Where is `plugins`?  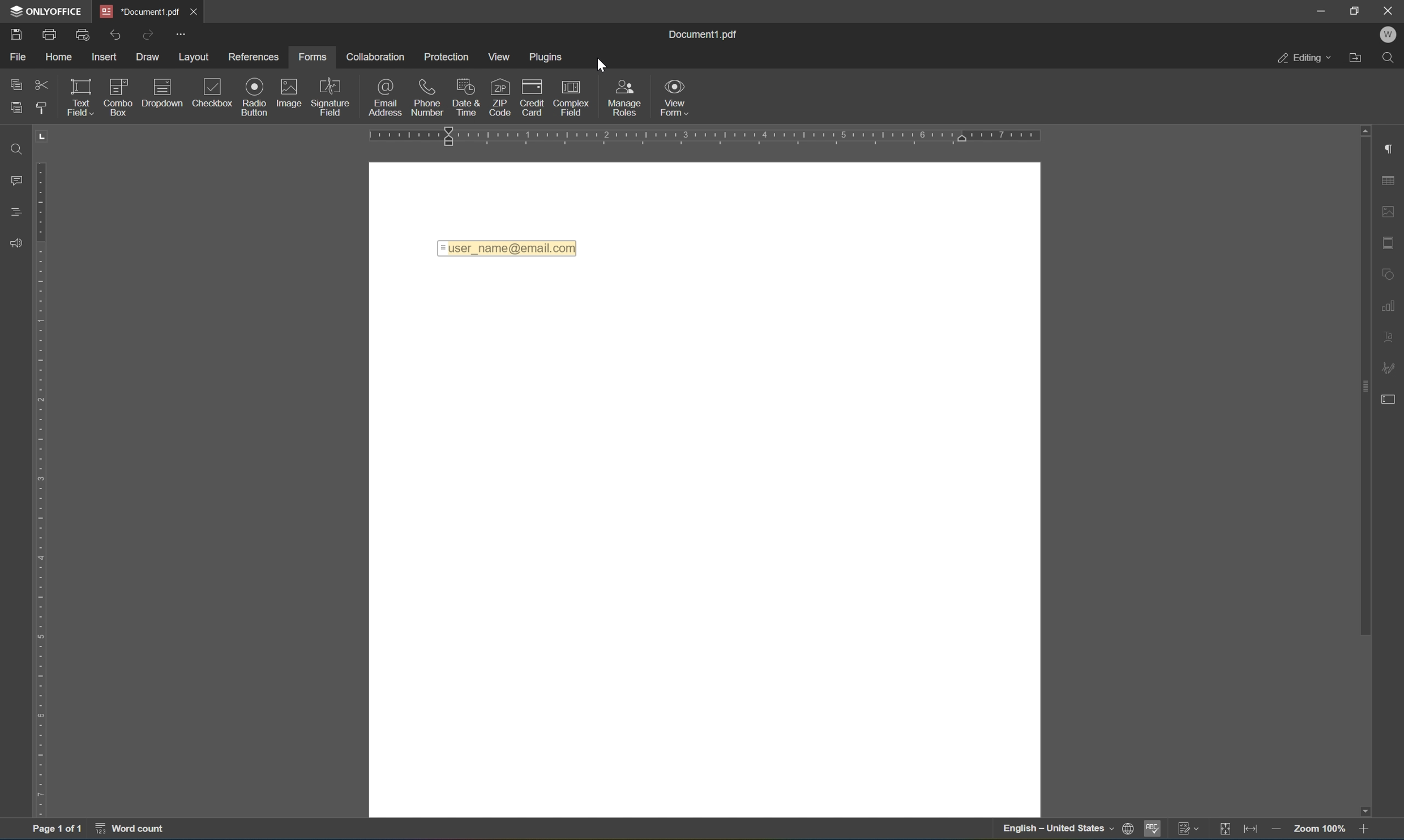 plugins is located at coordinates (549, 57).